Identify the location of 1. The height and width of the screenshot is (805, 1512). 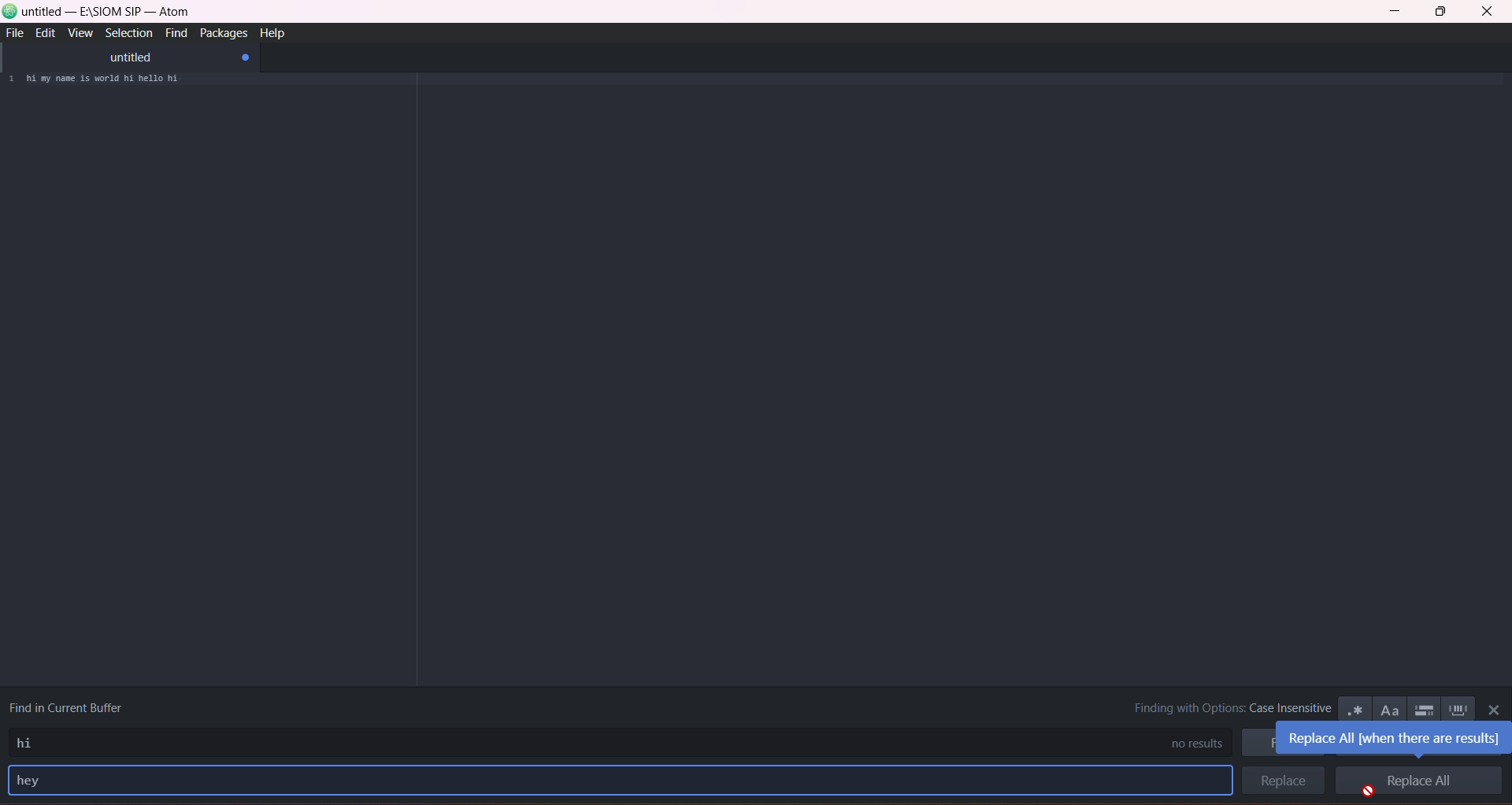
(10, 80).